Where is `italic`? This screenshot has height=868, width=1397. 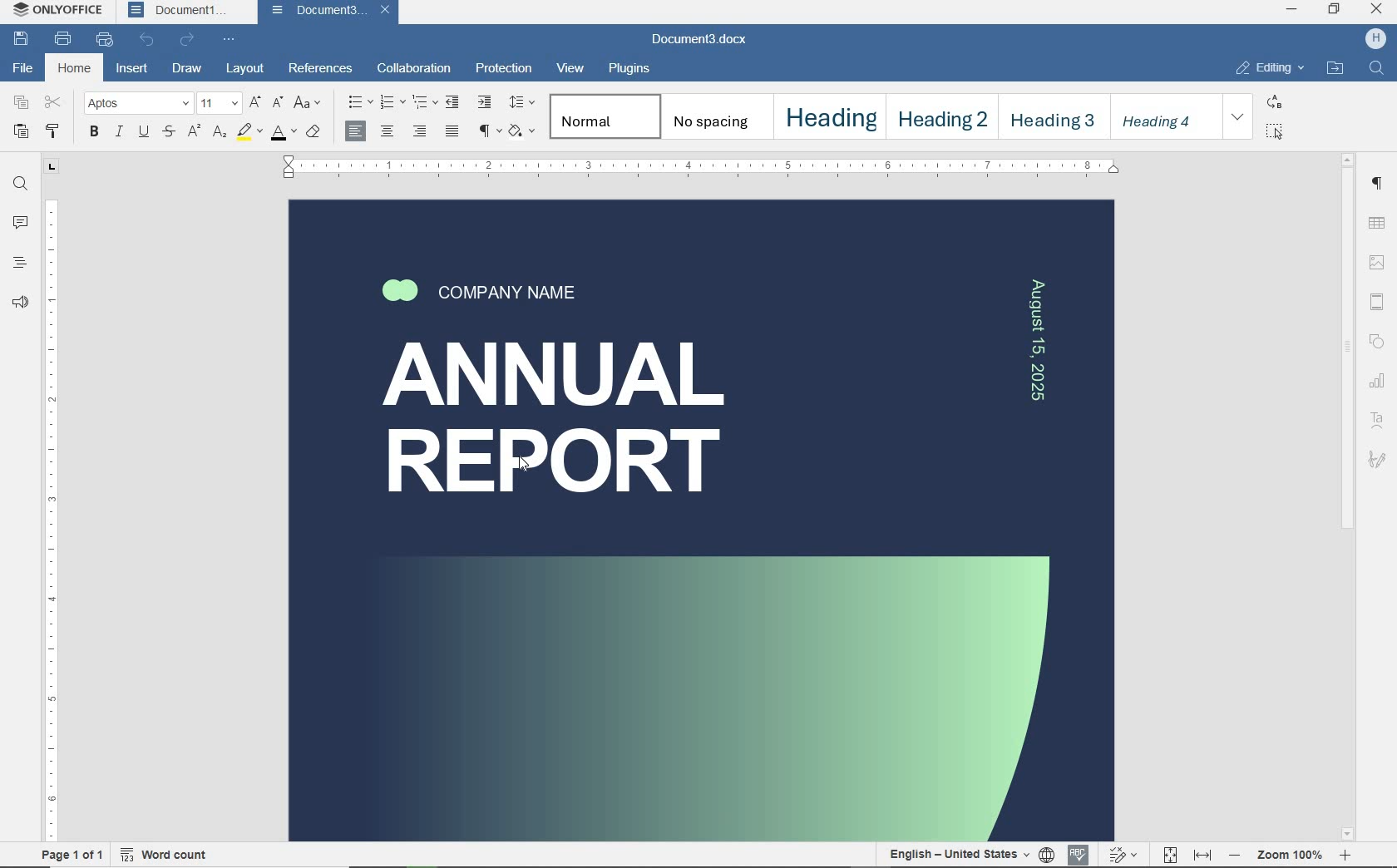
italic is located at coordinates (119, 132).